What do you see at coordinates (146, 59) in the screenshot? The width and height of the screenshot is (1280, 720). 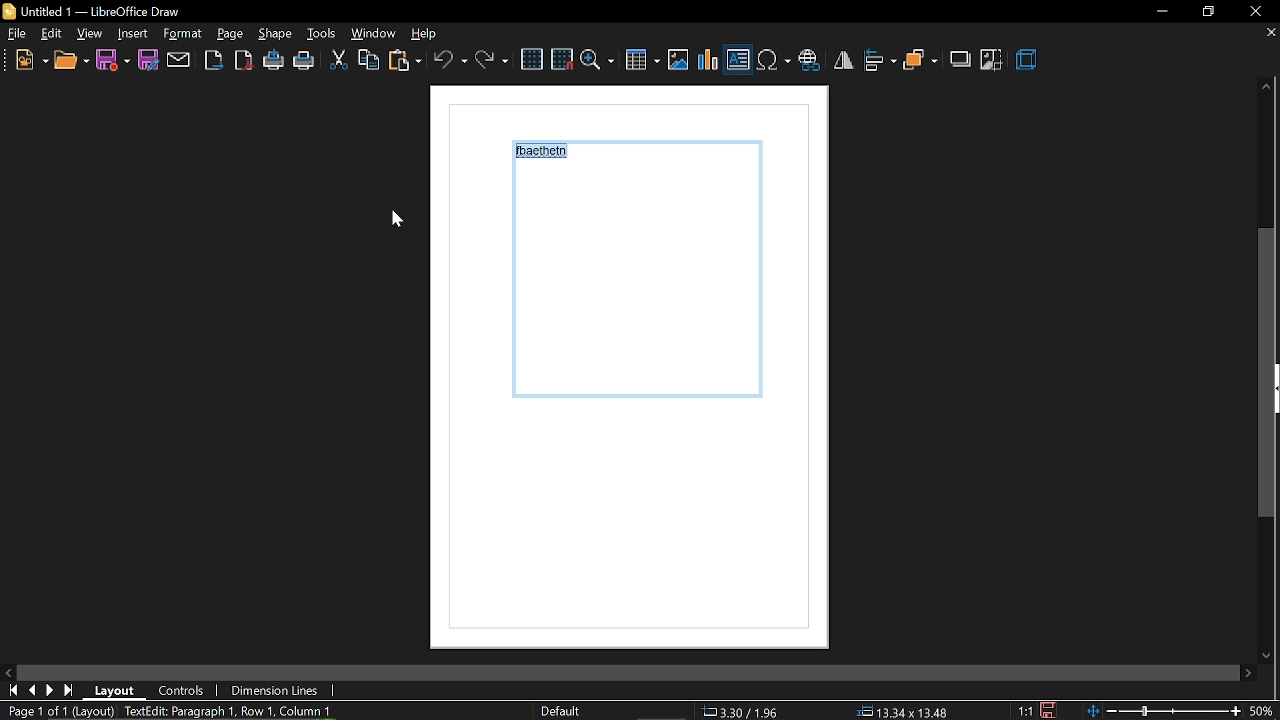 I see `save as` at bounding box center [146, 59].